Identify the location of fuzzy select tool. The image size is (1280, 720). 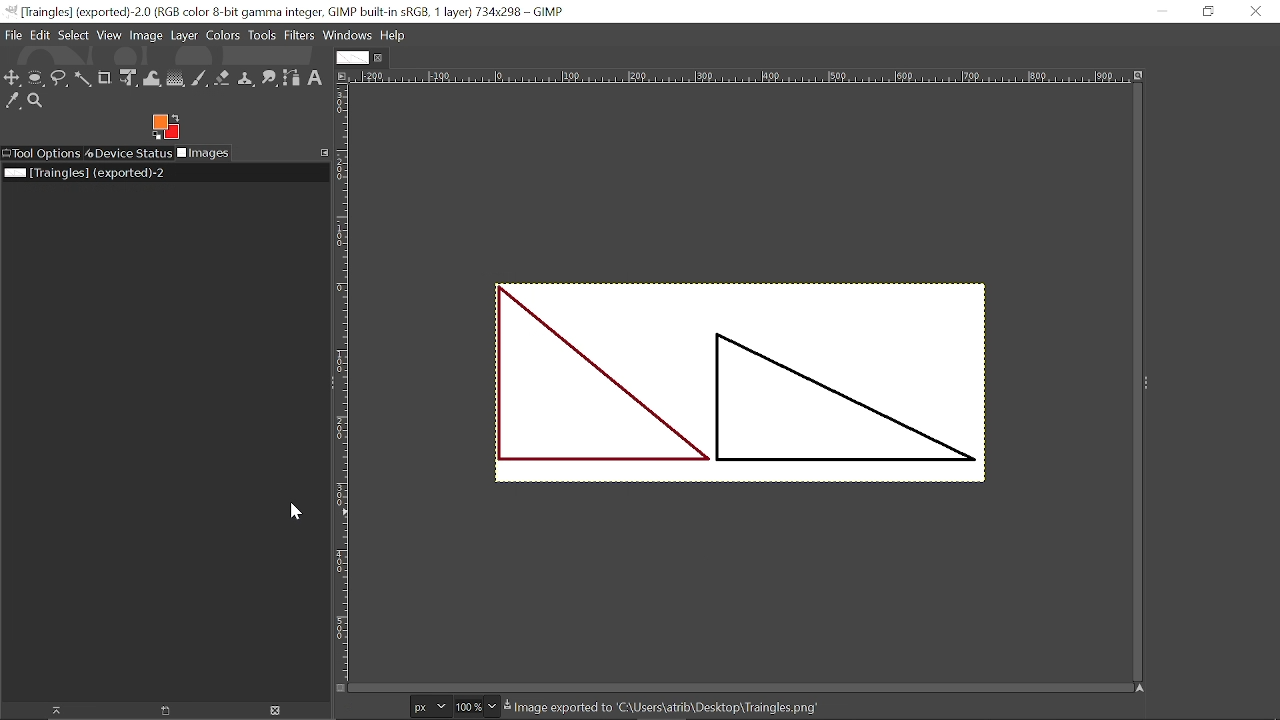
(83, 79).